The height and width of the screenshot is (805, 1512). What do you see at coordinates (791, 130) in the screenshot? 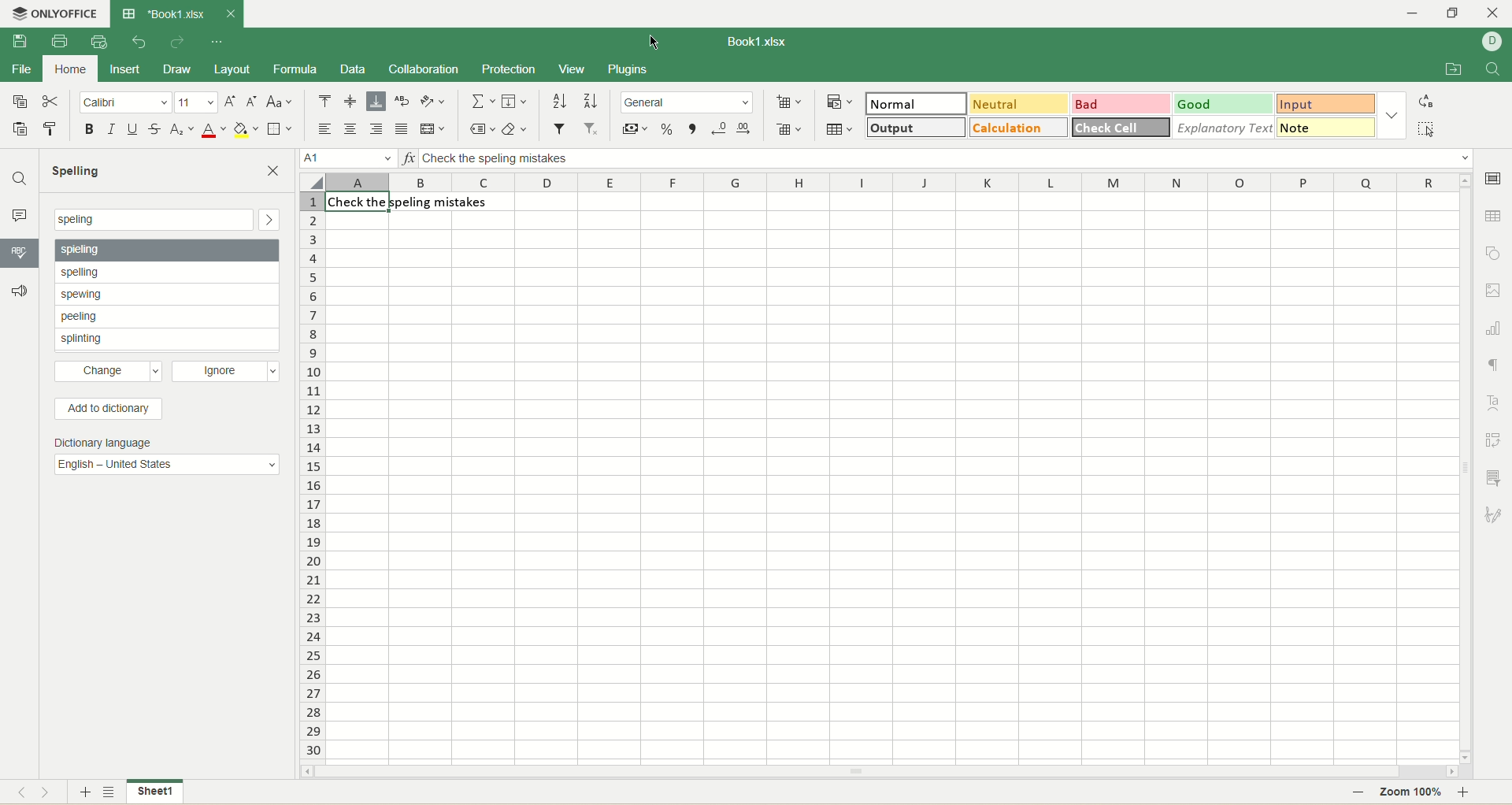
I see `removed cell` at bounding box center [791, 130].